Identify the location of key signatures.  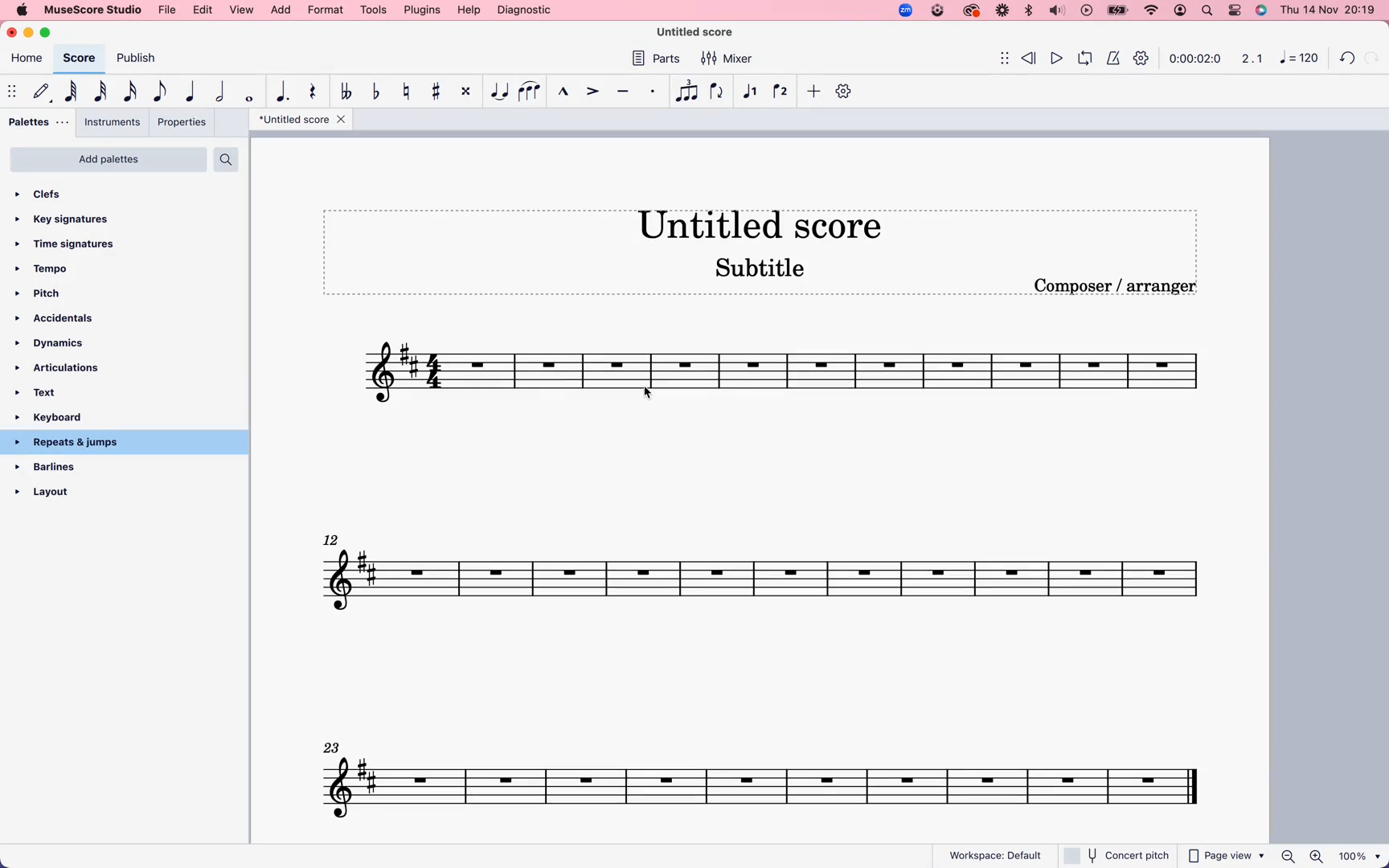
(71, 220).